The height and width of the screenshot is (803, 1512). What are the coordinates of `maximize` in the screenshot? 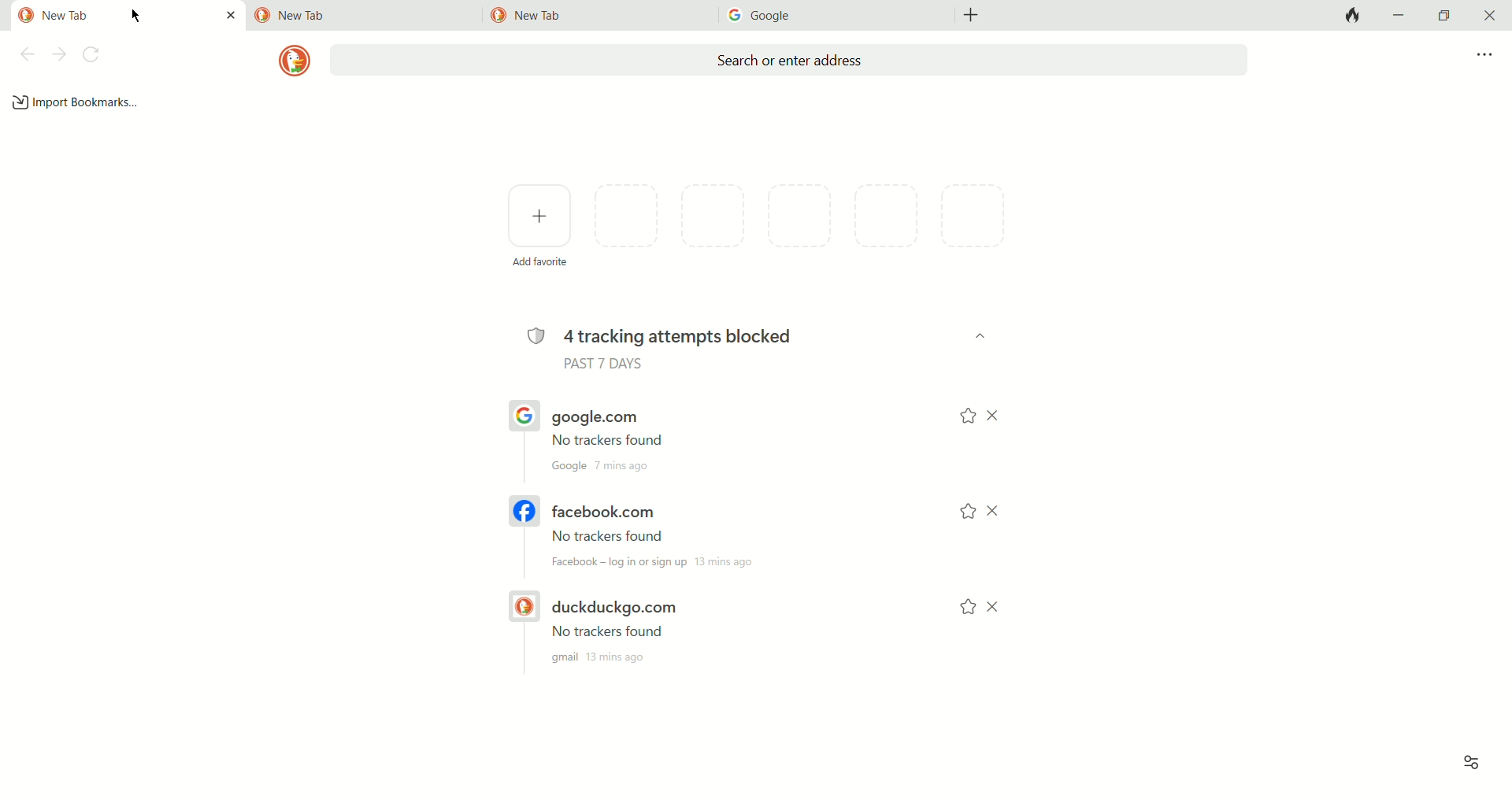 It's located at (1442, 17).